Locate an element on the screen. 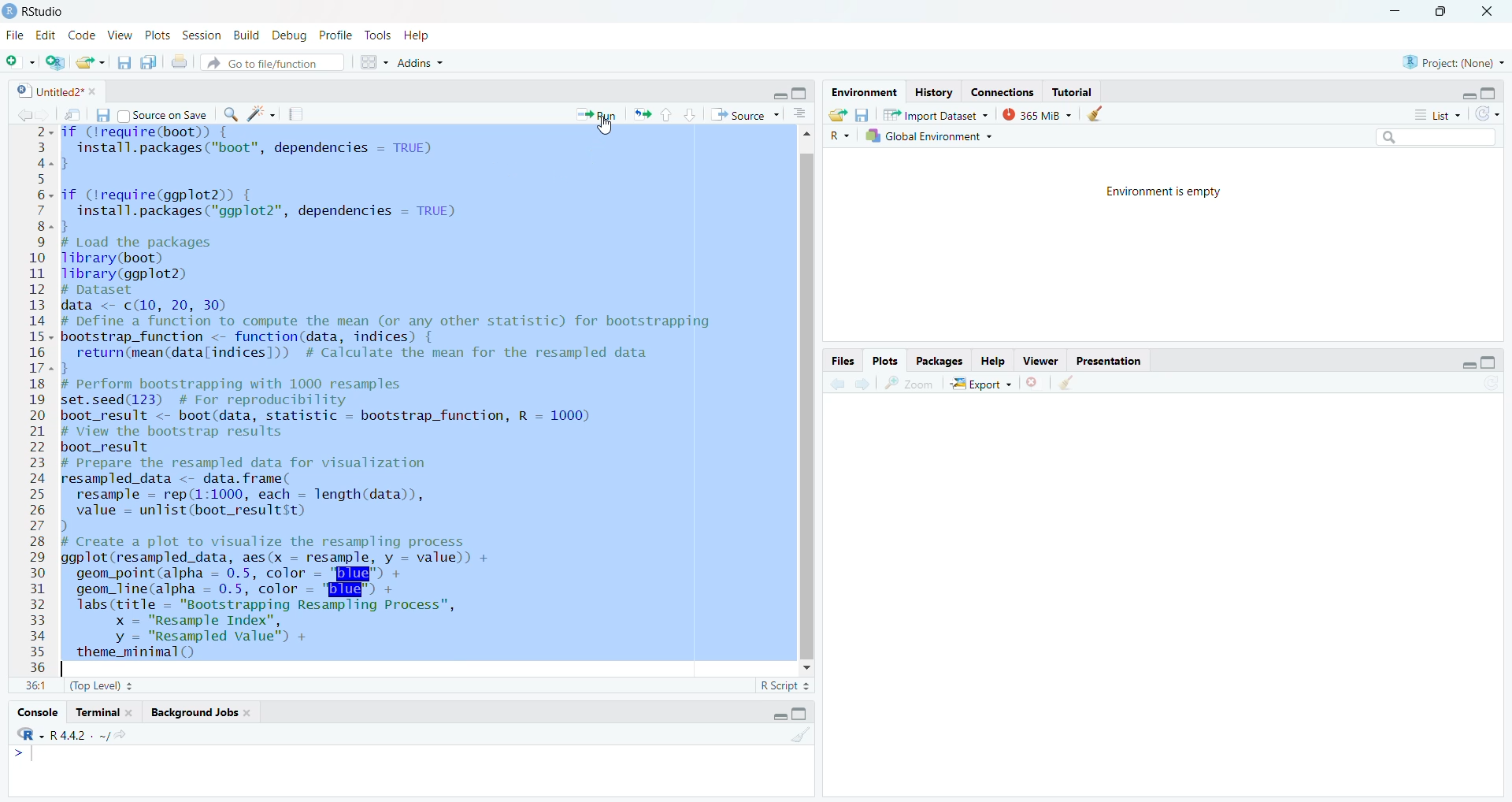 The image size is (1512, 802).  Profile is located at coordinates (335, 35).